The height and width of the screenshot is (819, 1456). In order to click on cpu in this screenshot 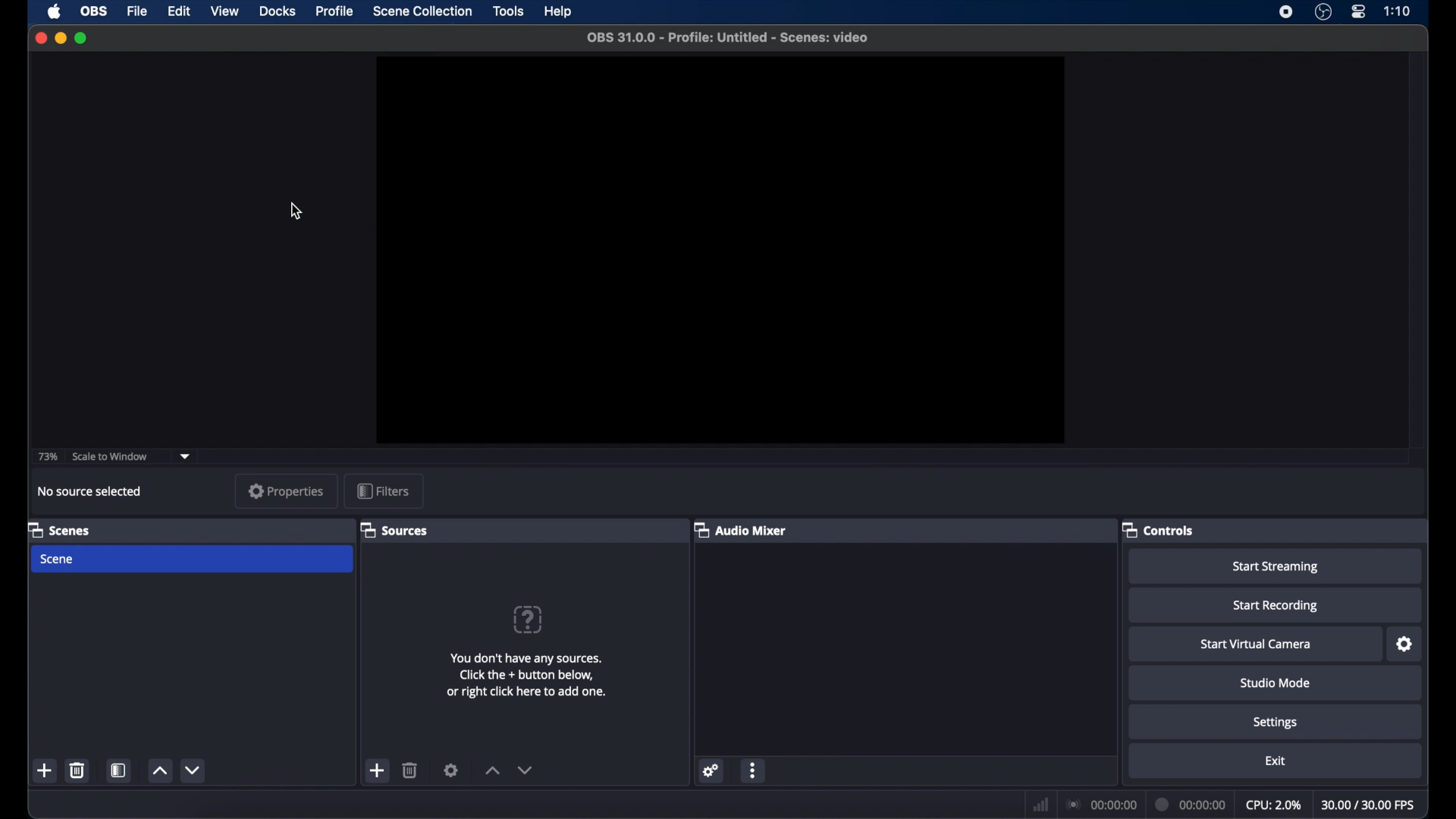, I will do `click(1272, 803)`.